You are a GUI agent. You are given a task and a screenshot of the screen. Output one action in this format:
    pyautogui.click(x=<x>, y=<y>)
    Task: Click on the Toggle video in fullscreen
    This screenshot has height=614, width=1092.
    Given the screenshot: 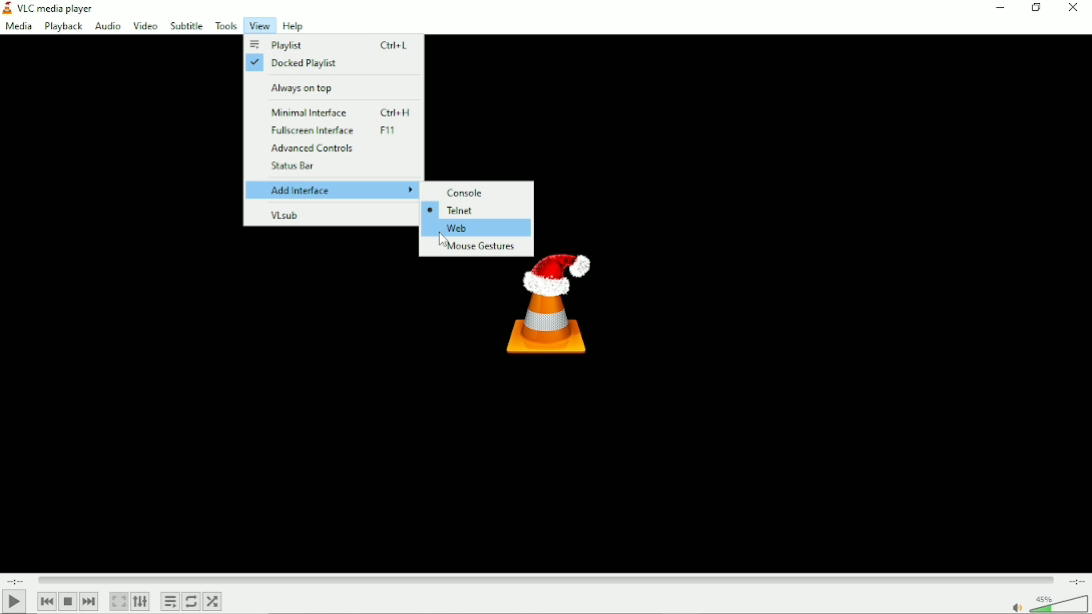 What is the action you would take?
    pyautogui.click(x=118, y=602)
    